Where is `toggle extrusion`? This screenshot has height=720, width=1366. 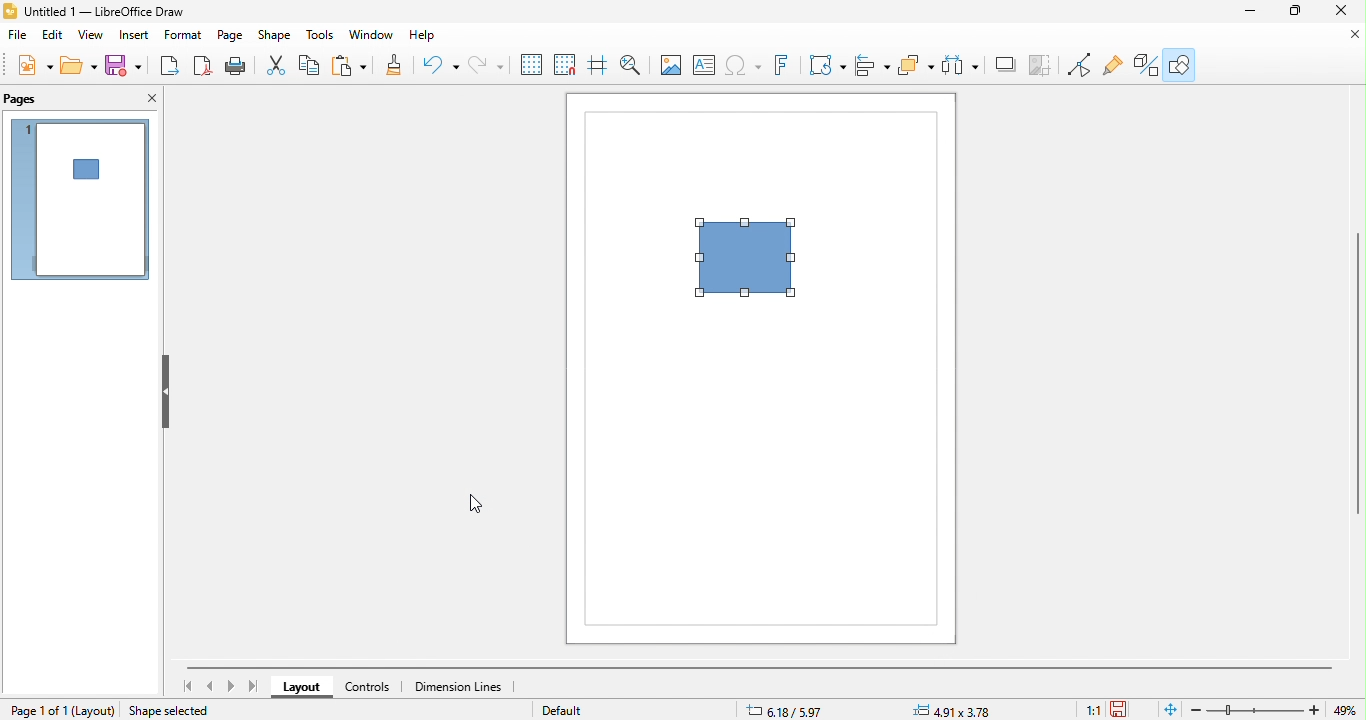
toggle extrusion is located at coordinates (1142, 65).